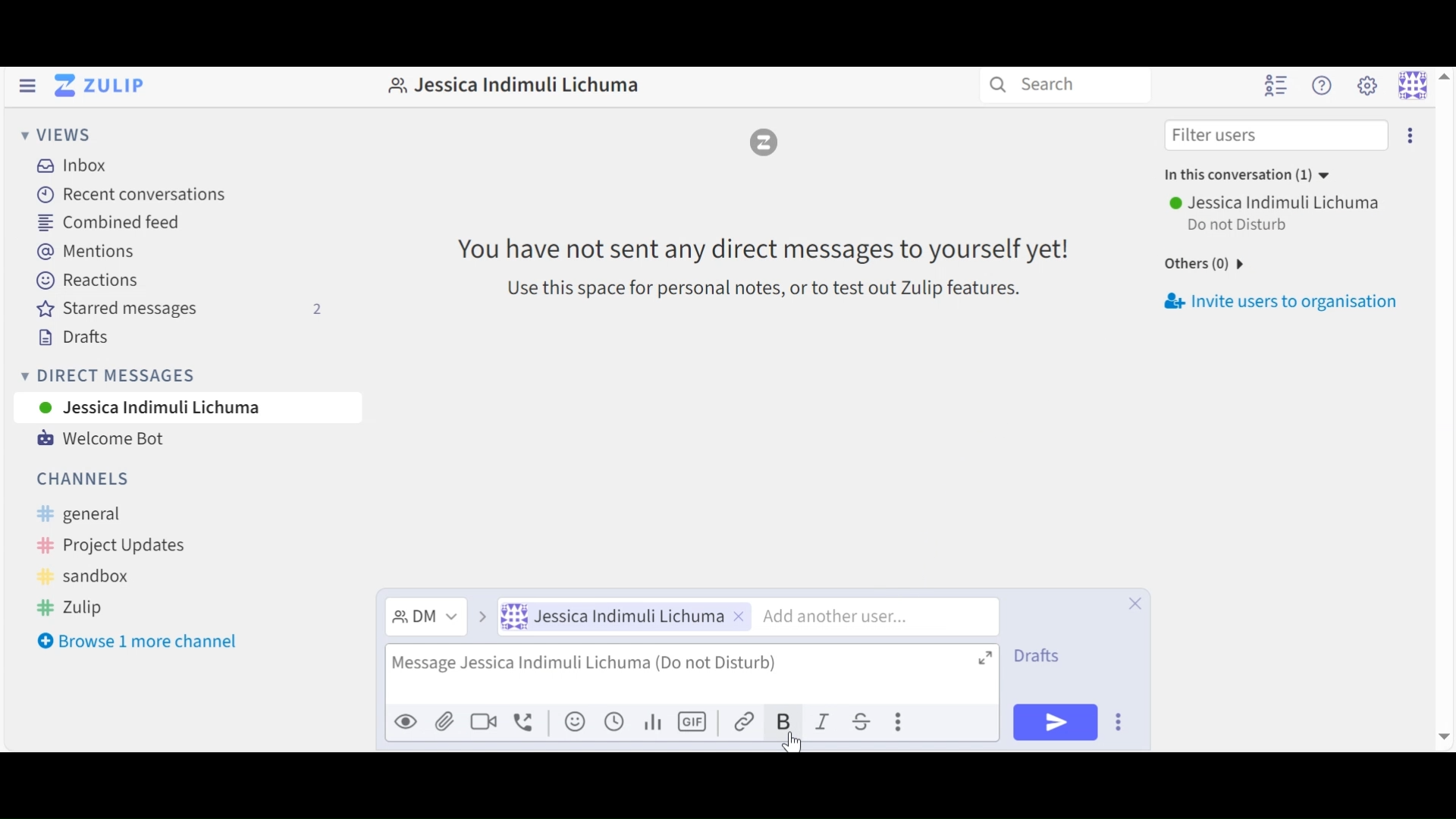 The height and width of the screenshot is (819, 1456). Describe the element at coordinates (752, 265) in the screenshot. I see `You have not sent any direct messages to yourself yet!
Use this space for personal notes, or to test out Zulip features.` at that location.